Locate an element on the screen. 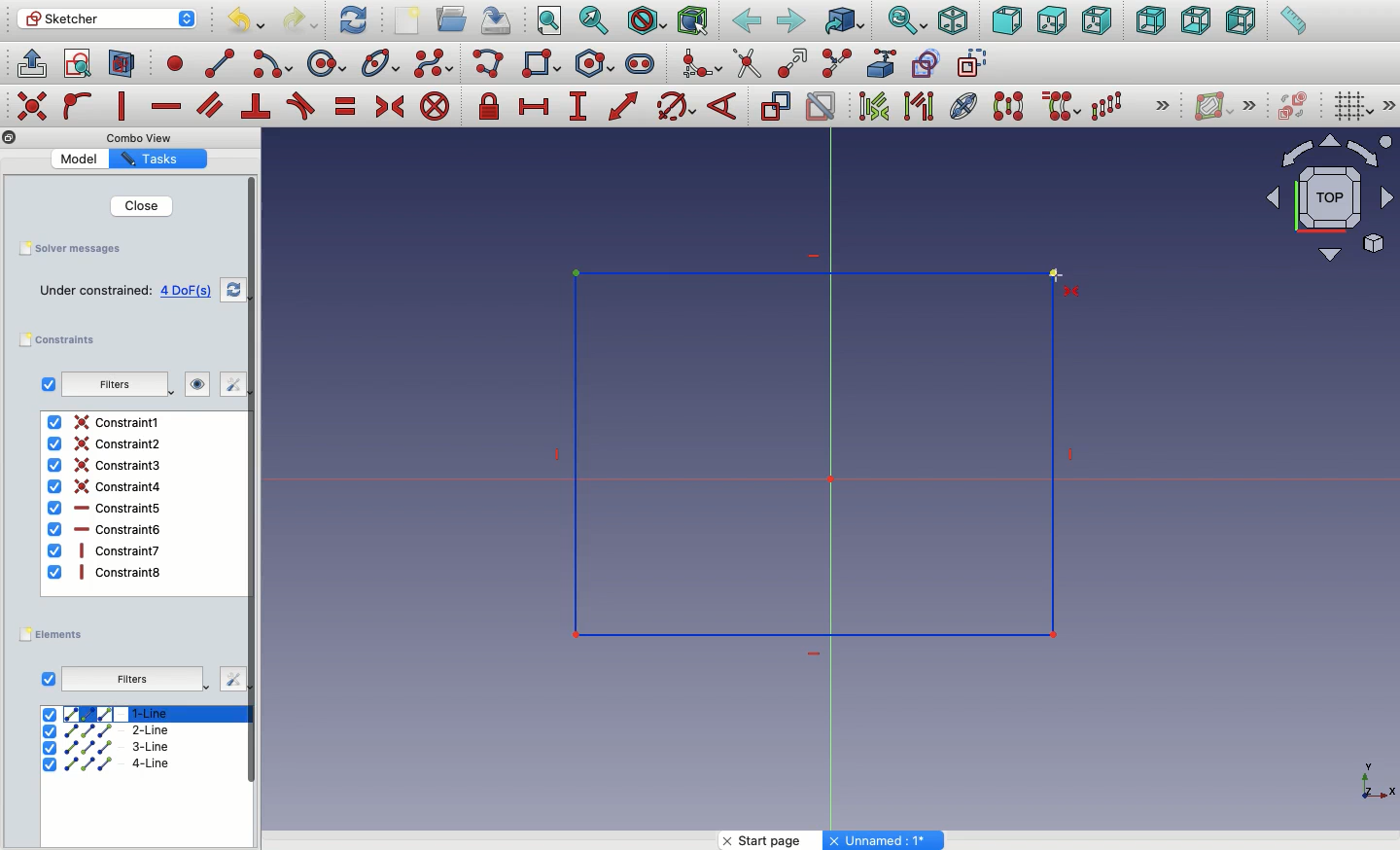  1-line is located at coordinates (108, 713).